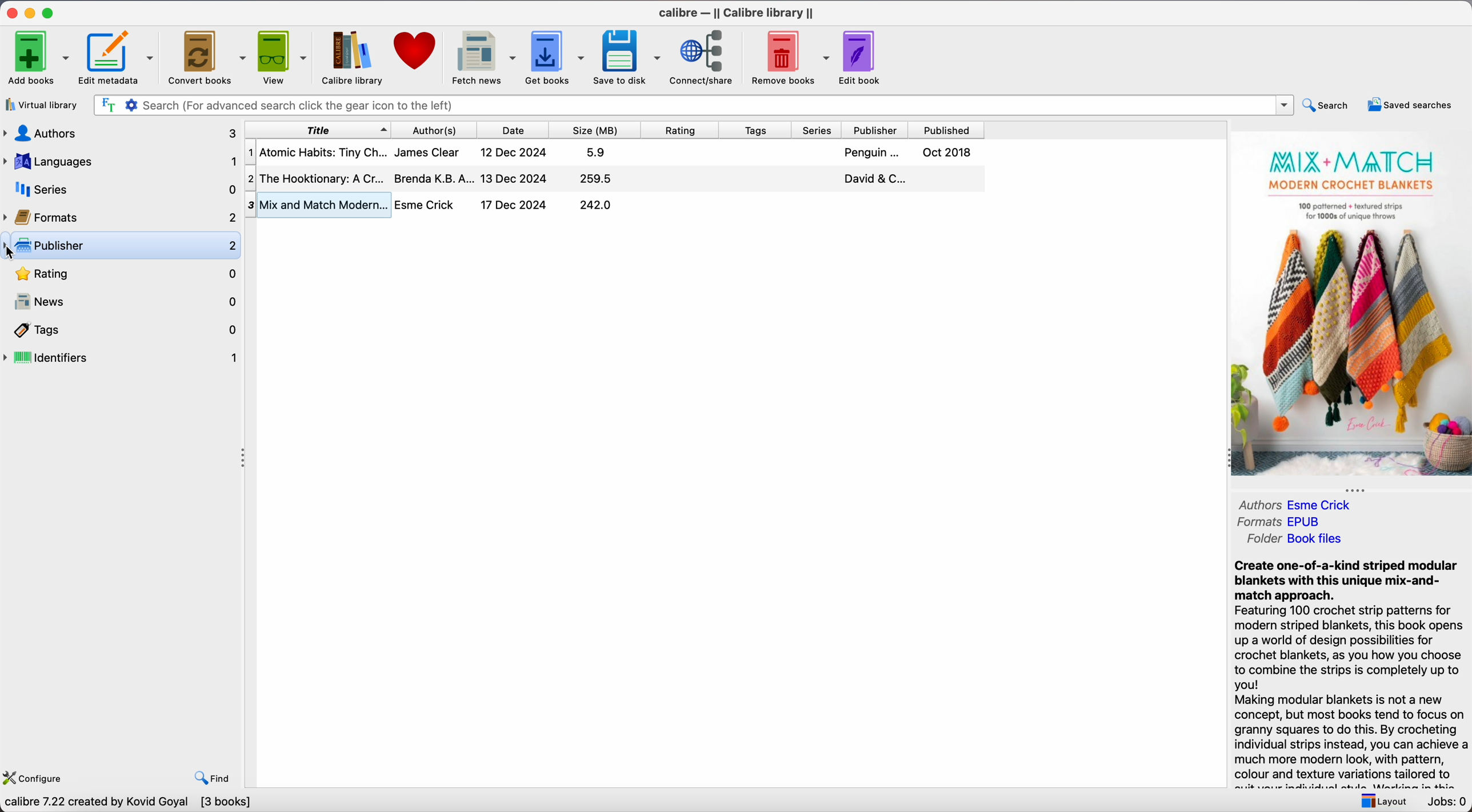  What do you see at coordinates (1350, 673) in the screenshot?
I see `synopsis` at bounding box center [1350, 673].